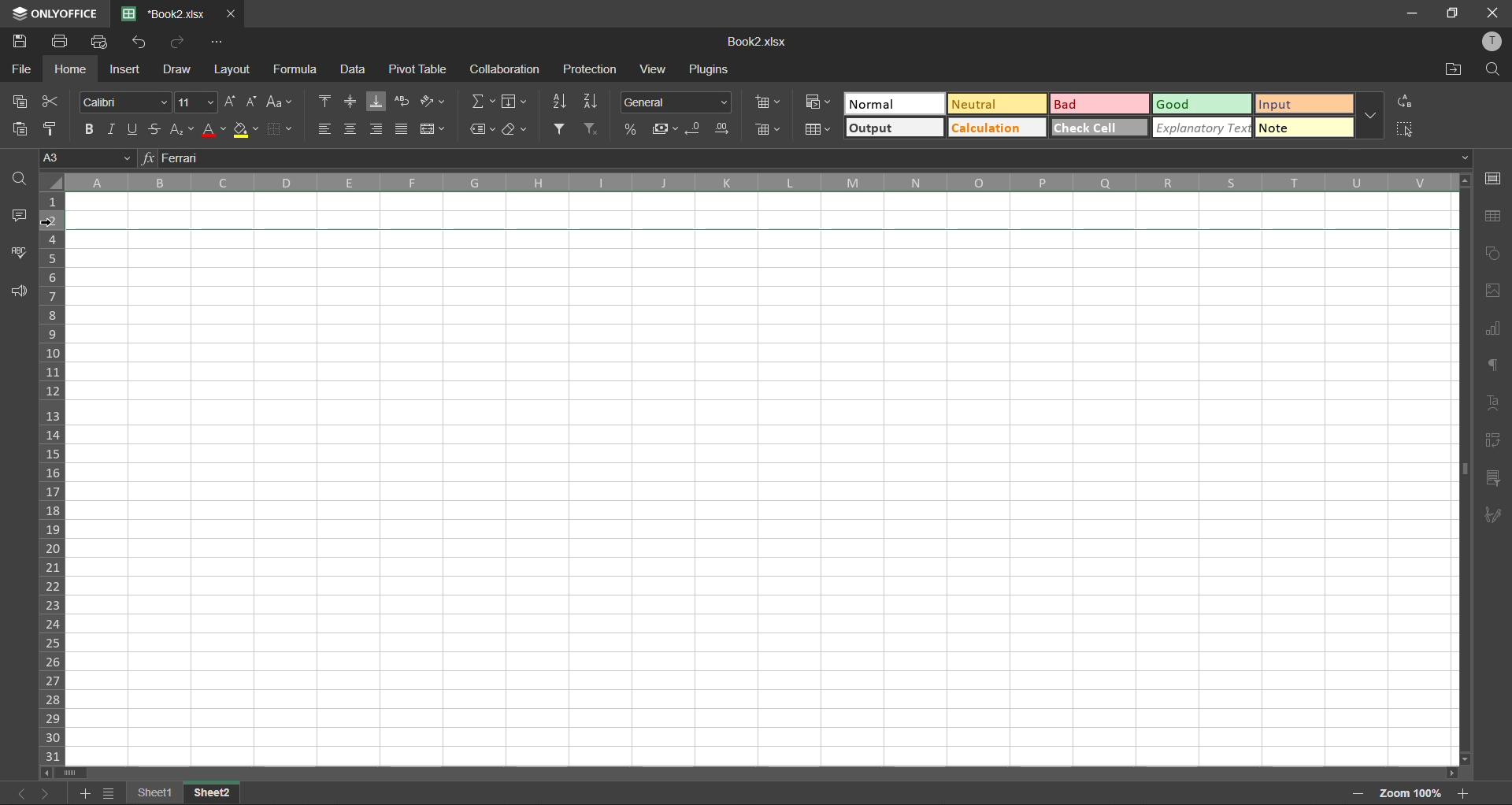  Describe the element at coordinates (126, 68) in the screenshot. I see `insert` at that location.